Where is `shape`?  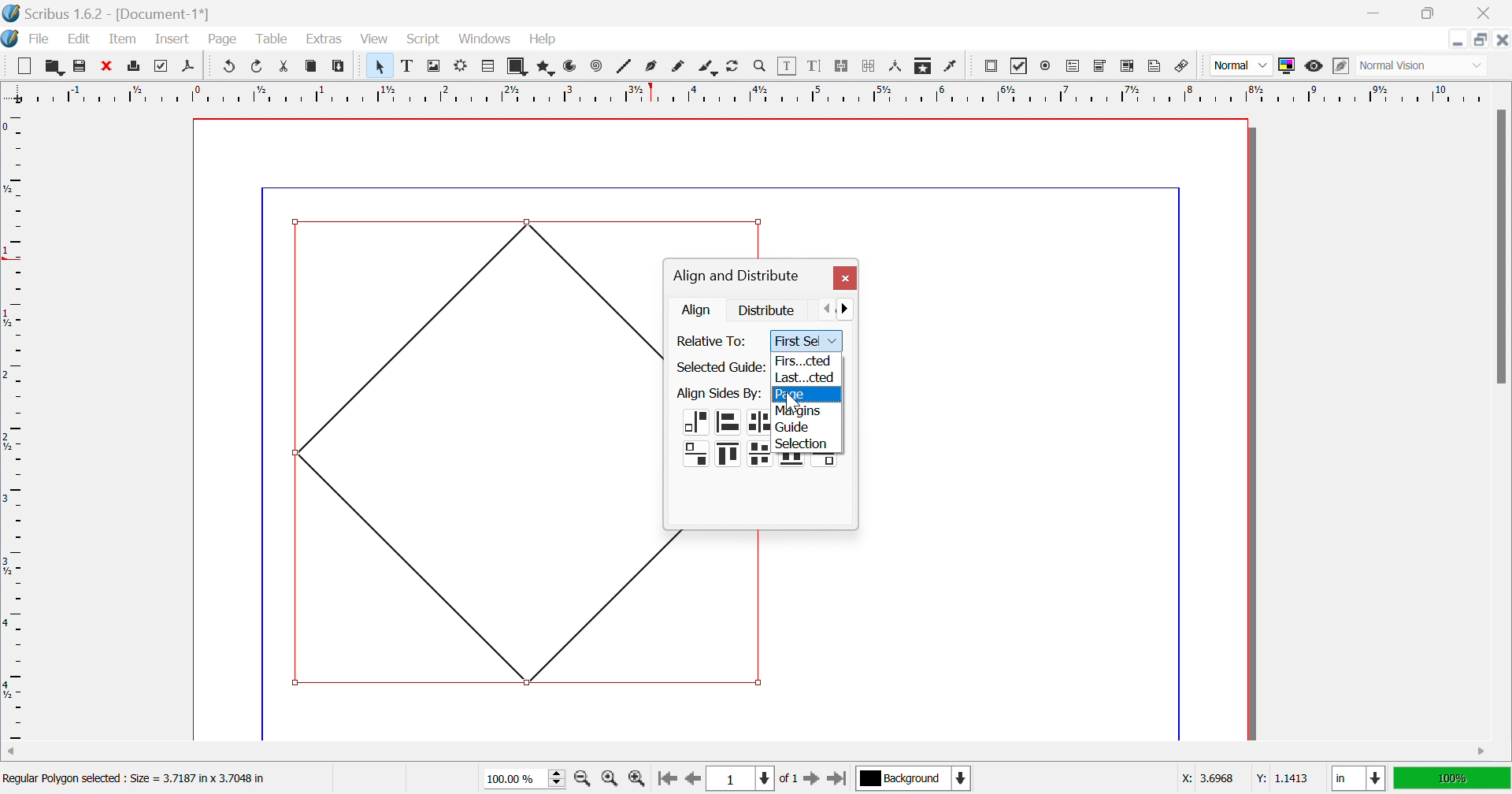 shape is located at coordinates (675, 542).